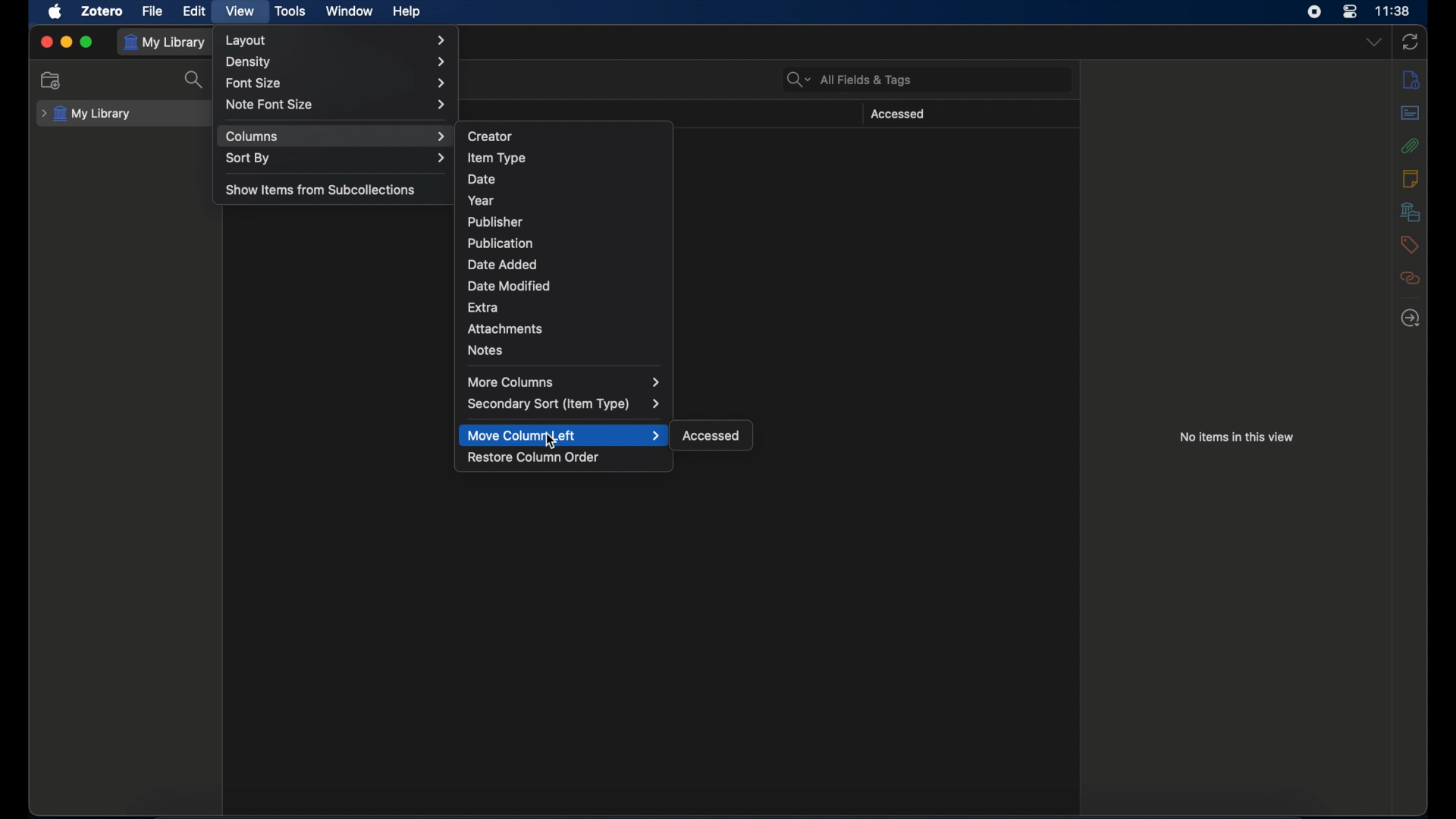 This screenshot has width=1456, height=819. Describe the element at coordinates (290, 11) in the screenshot. I see `tools` at that location.